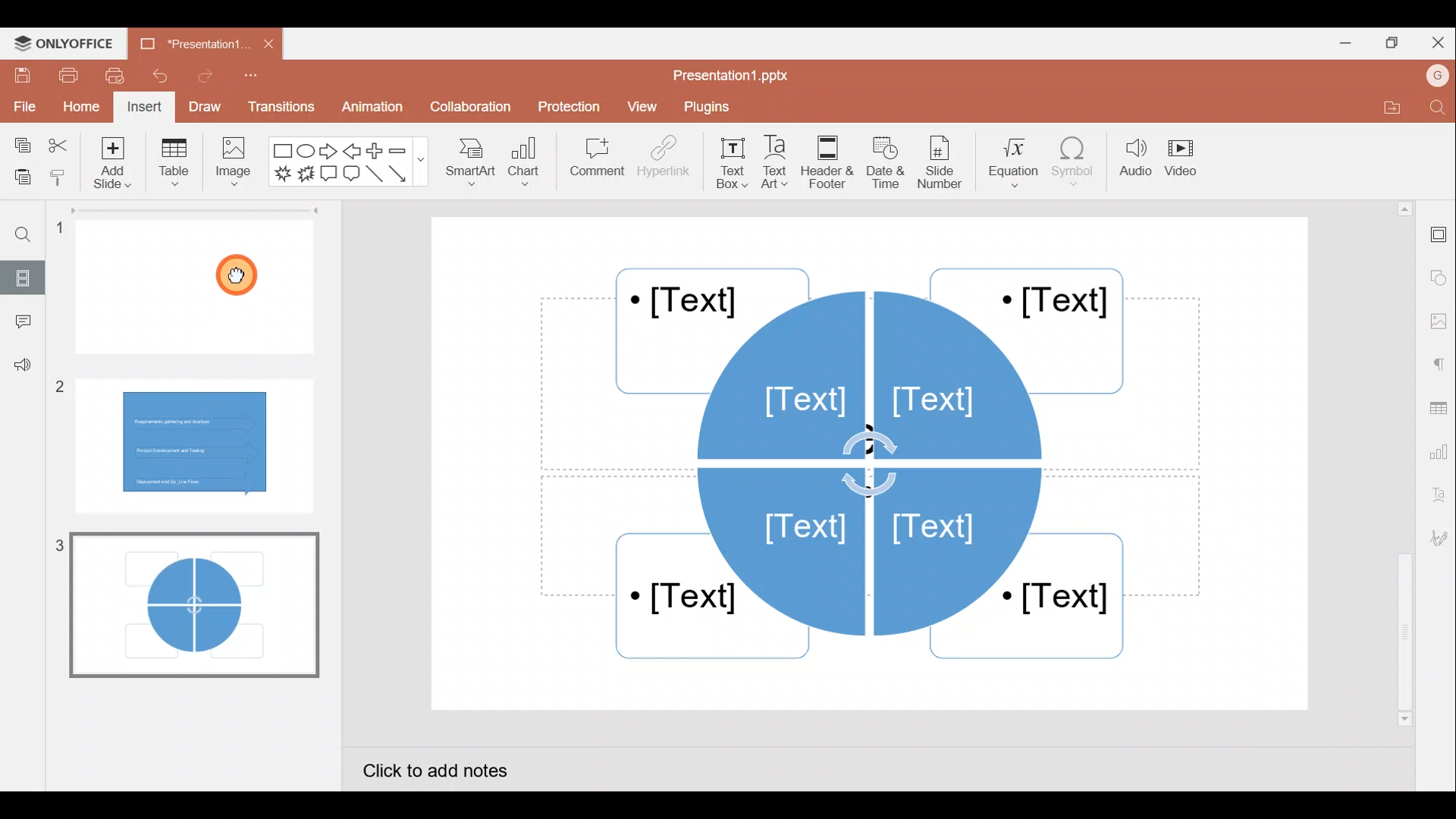  What do you see at coordinates (305, 175) in the screenshot?
I see `Explosion 2` at bounding box center [305, 175].